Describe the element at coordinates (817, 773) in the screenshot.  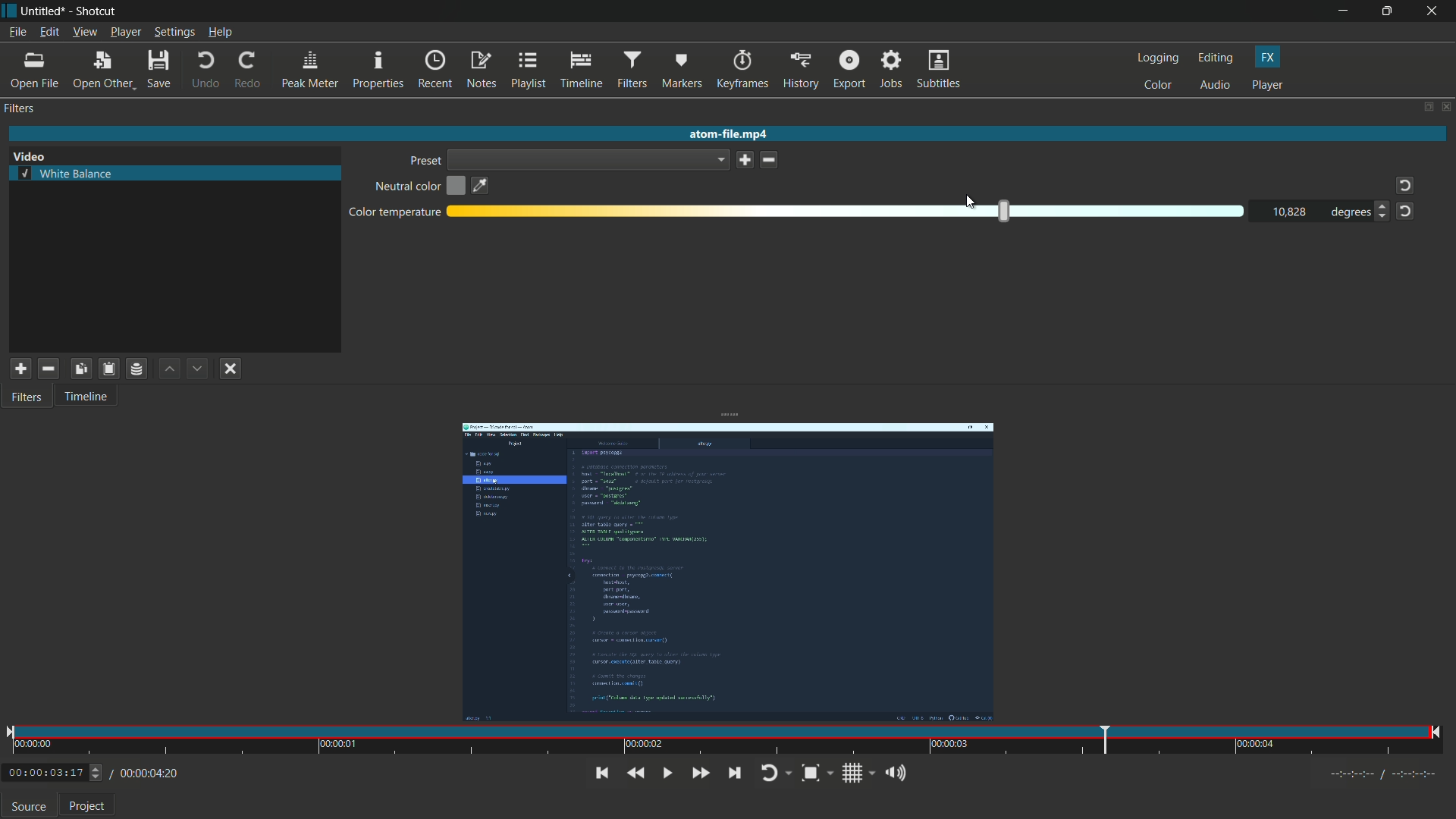
I see `toggle zoom` at that location.